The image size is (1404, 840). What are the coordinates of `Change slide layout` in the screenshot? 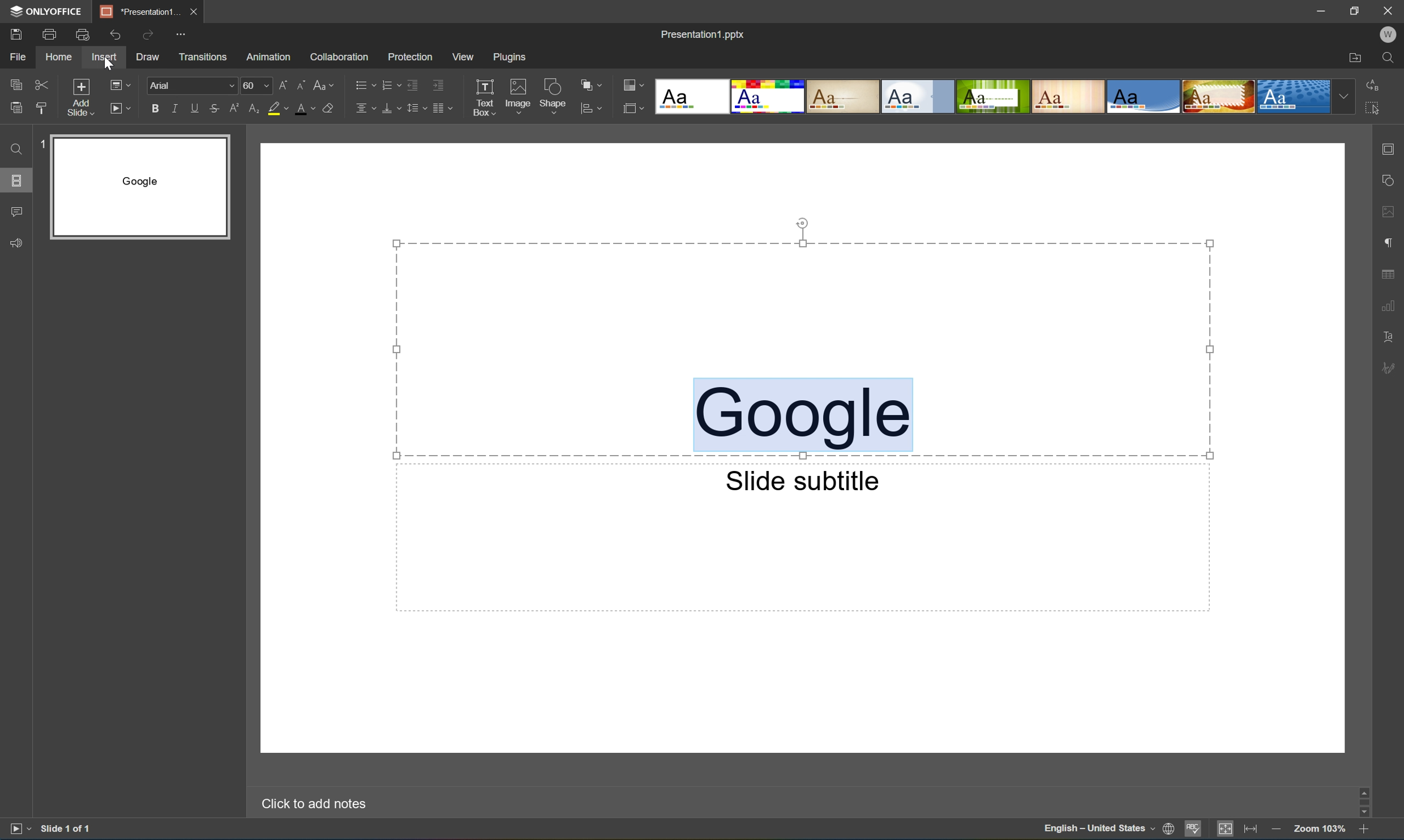 It's located at (121, 85).